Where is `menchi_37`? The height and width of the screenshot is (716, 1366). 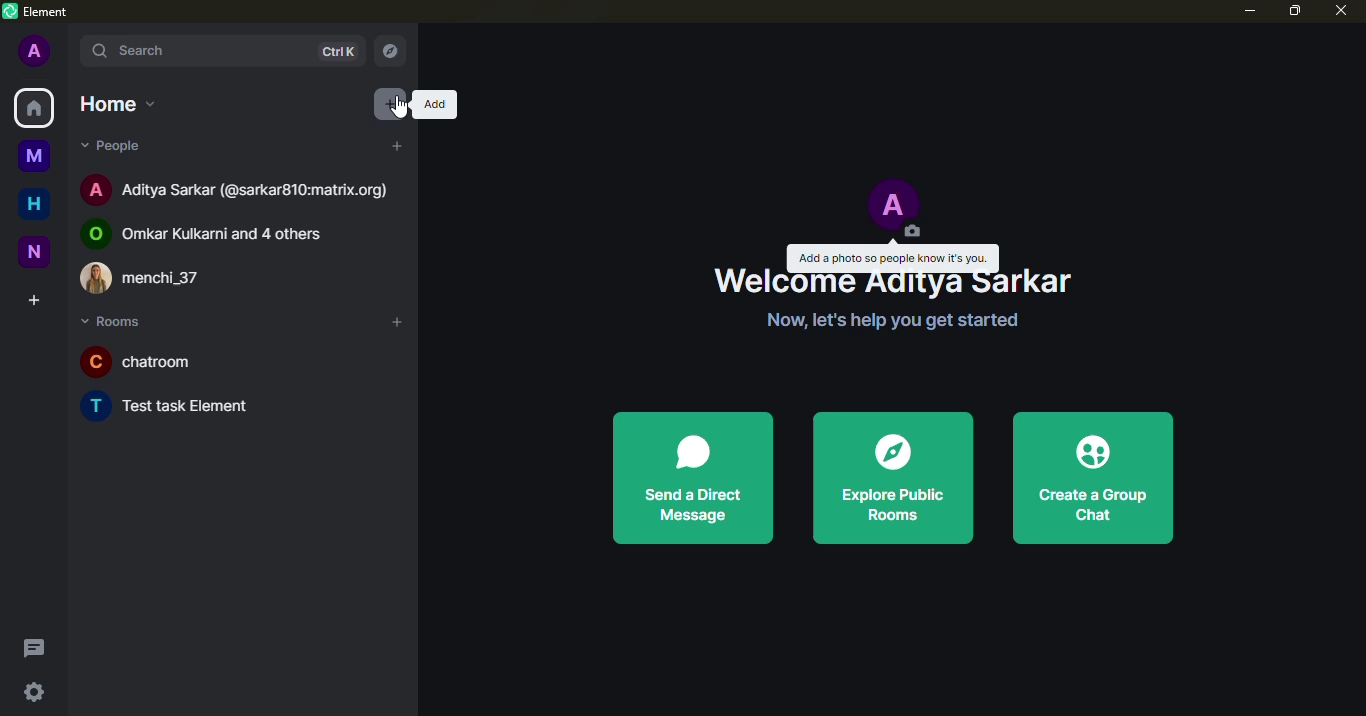
menchi_37 is located at coordinates (142, 278).